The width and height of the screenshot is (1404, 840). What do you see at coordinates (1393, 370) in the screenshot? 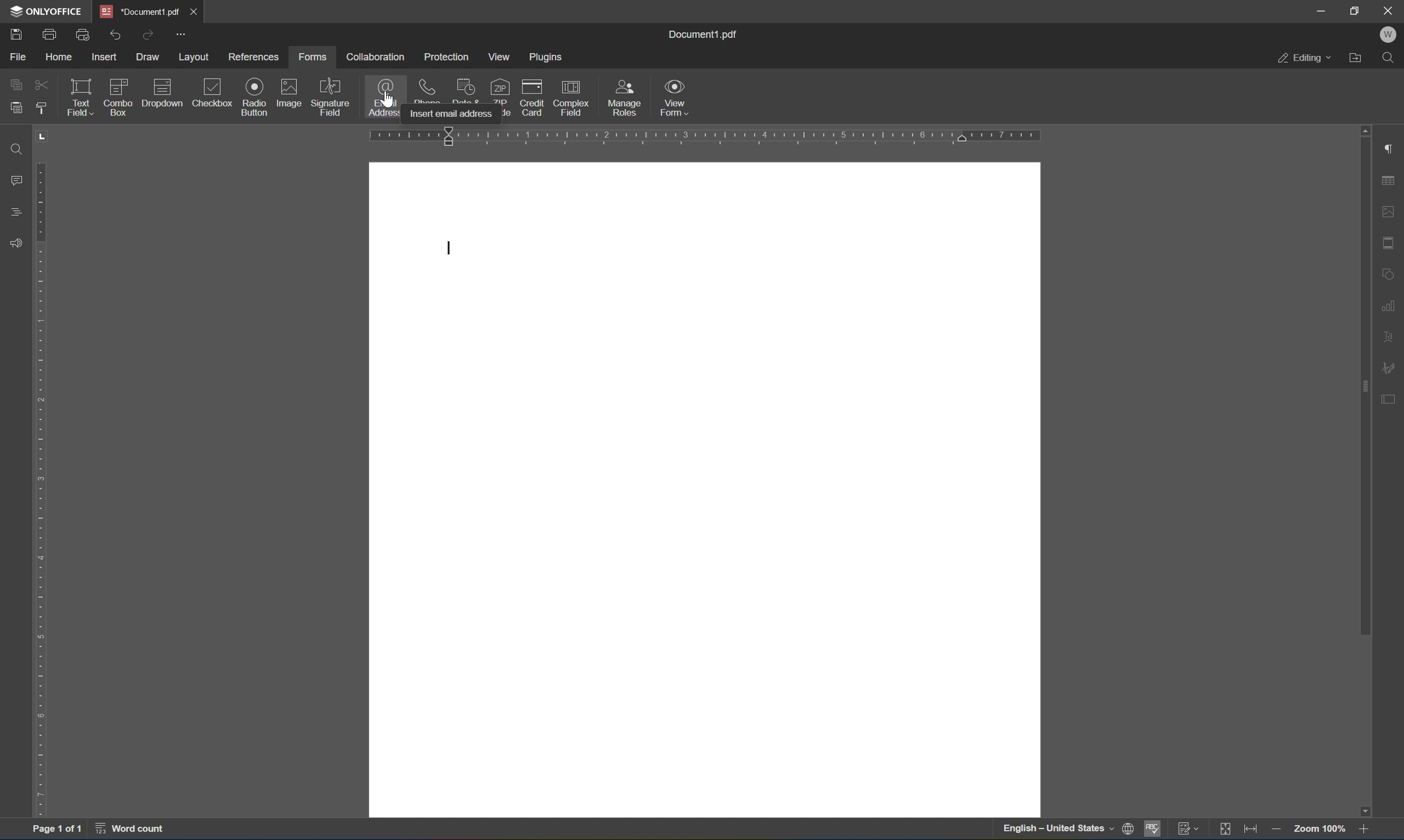
I see `signature settings` at bounding box center [1393, 370].